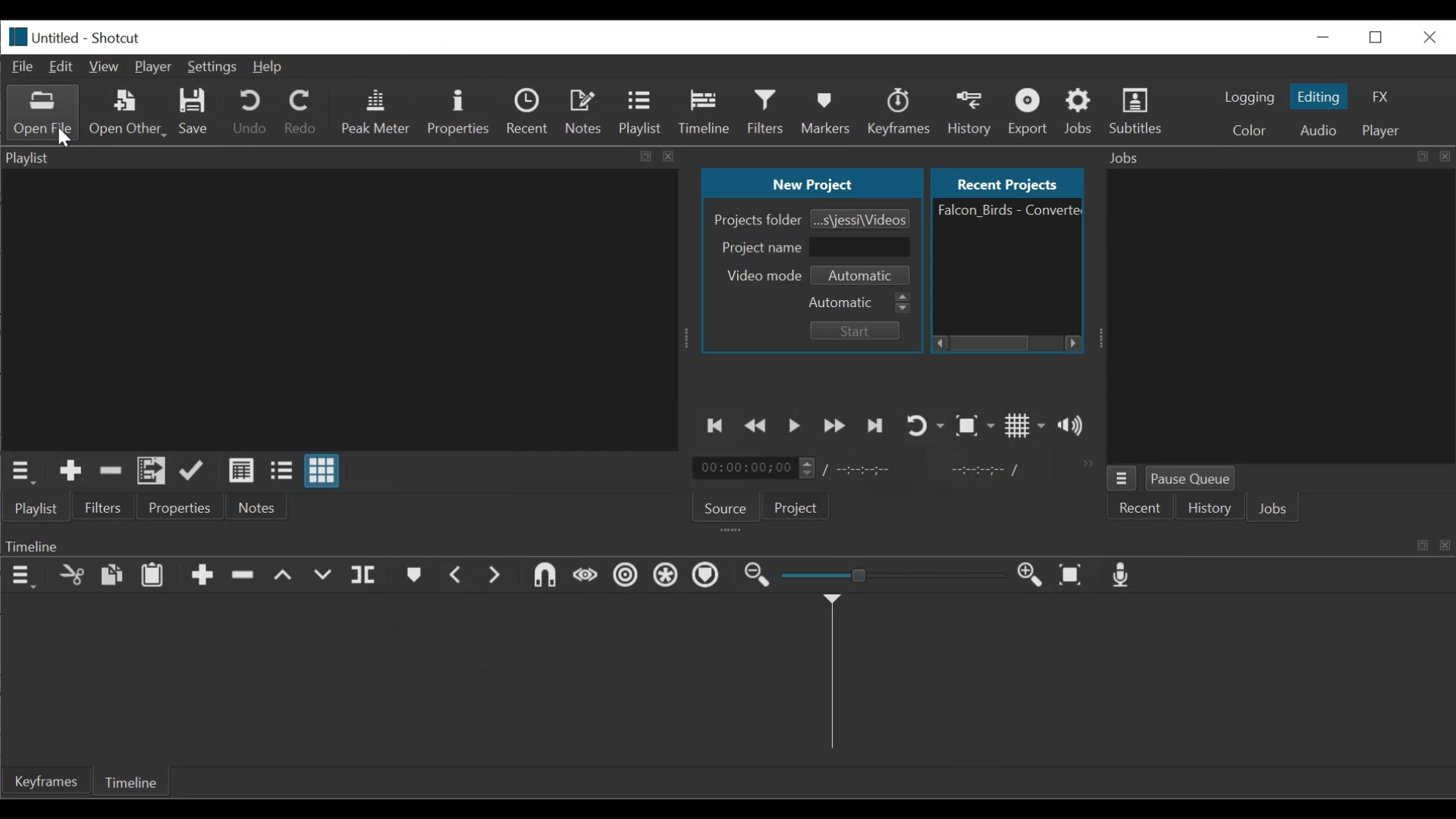 The height and width of the screenshot is (819, 1456). What do you see at coordinates (585, 576) in the screenshot?
I see `Scrub while dragging` at bounding box center [585, 576].